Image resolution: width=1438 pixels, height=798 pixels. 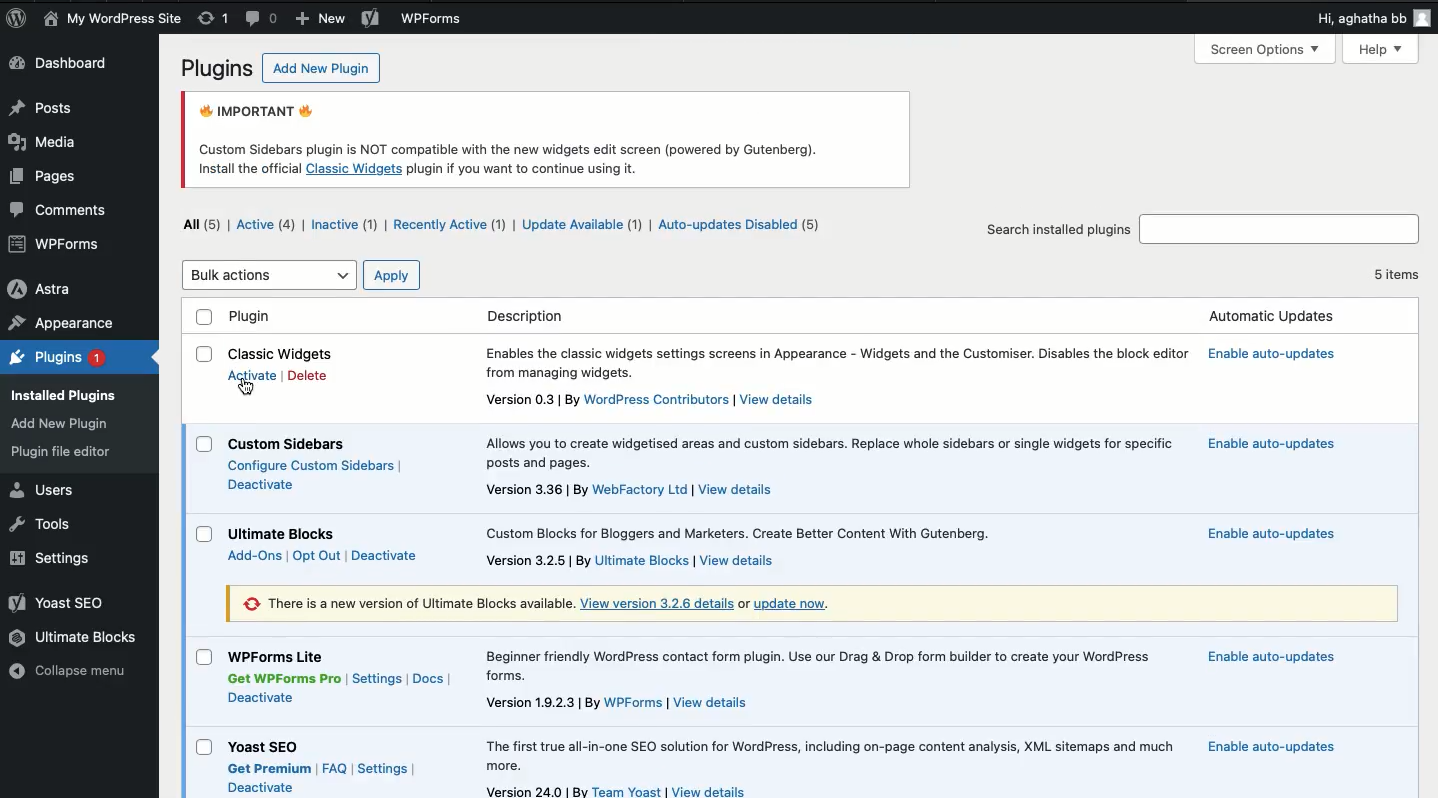 I want to click on Automatic updates, so click(x=1270, y=655).